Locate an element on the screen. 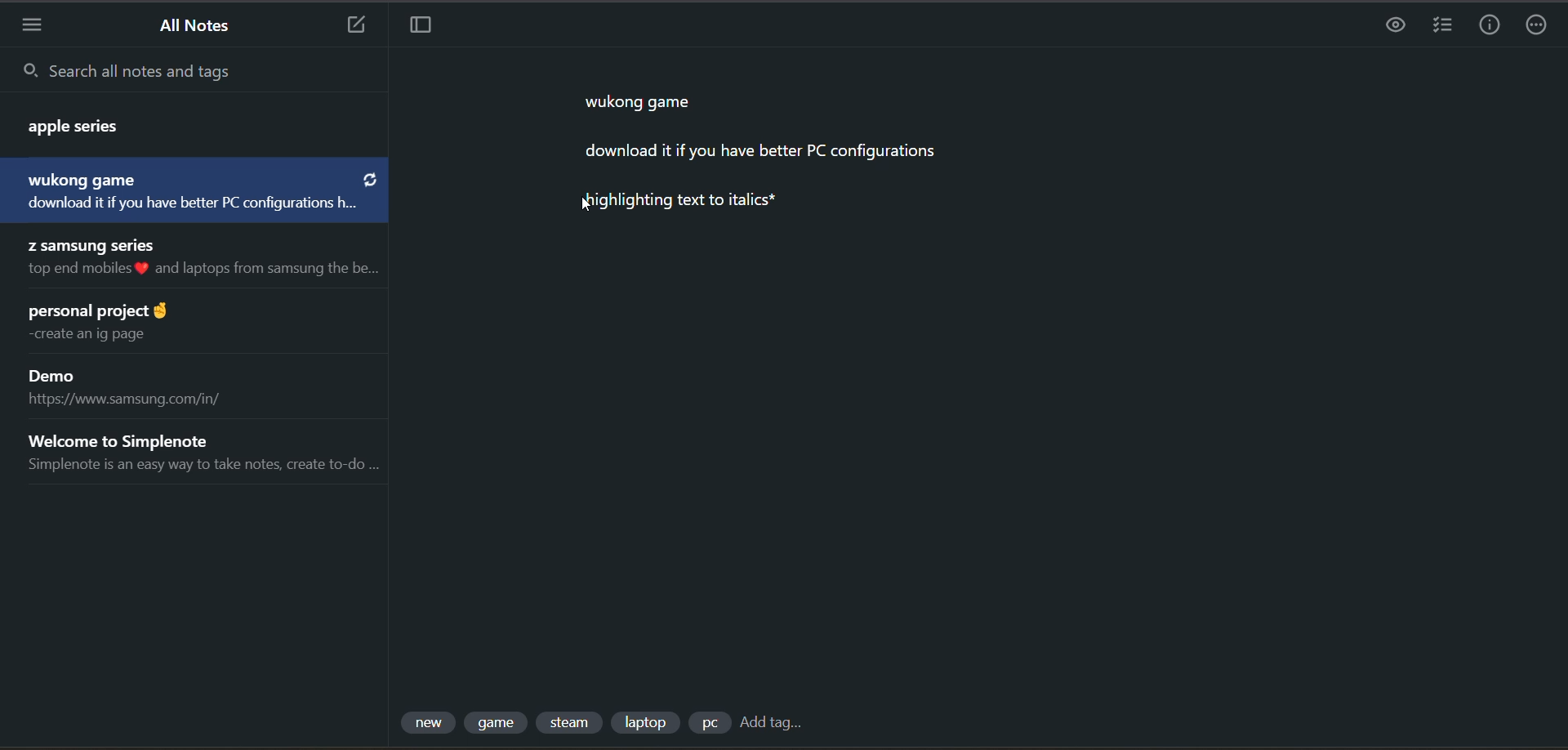 This screenshot has height=750, width=1568. note title and preview is located at coordinates (180, 122).